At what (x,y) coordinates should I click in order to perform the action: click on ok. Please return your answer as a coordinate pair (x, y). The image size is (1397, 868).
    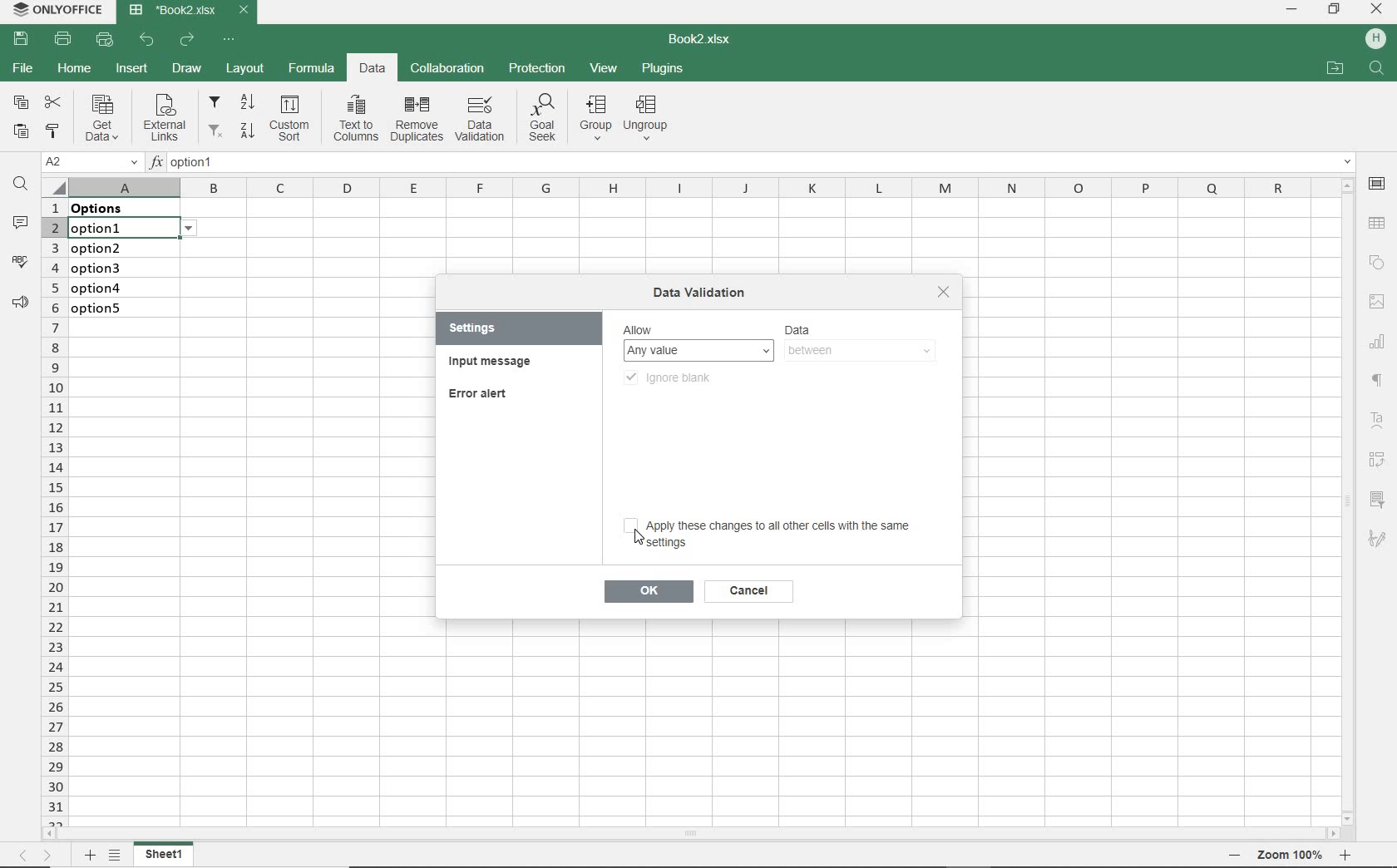
    Looking at the image, I should click on (648, 592).